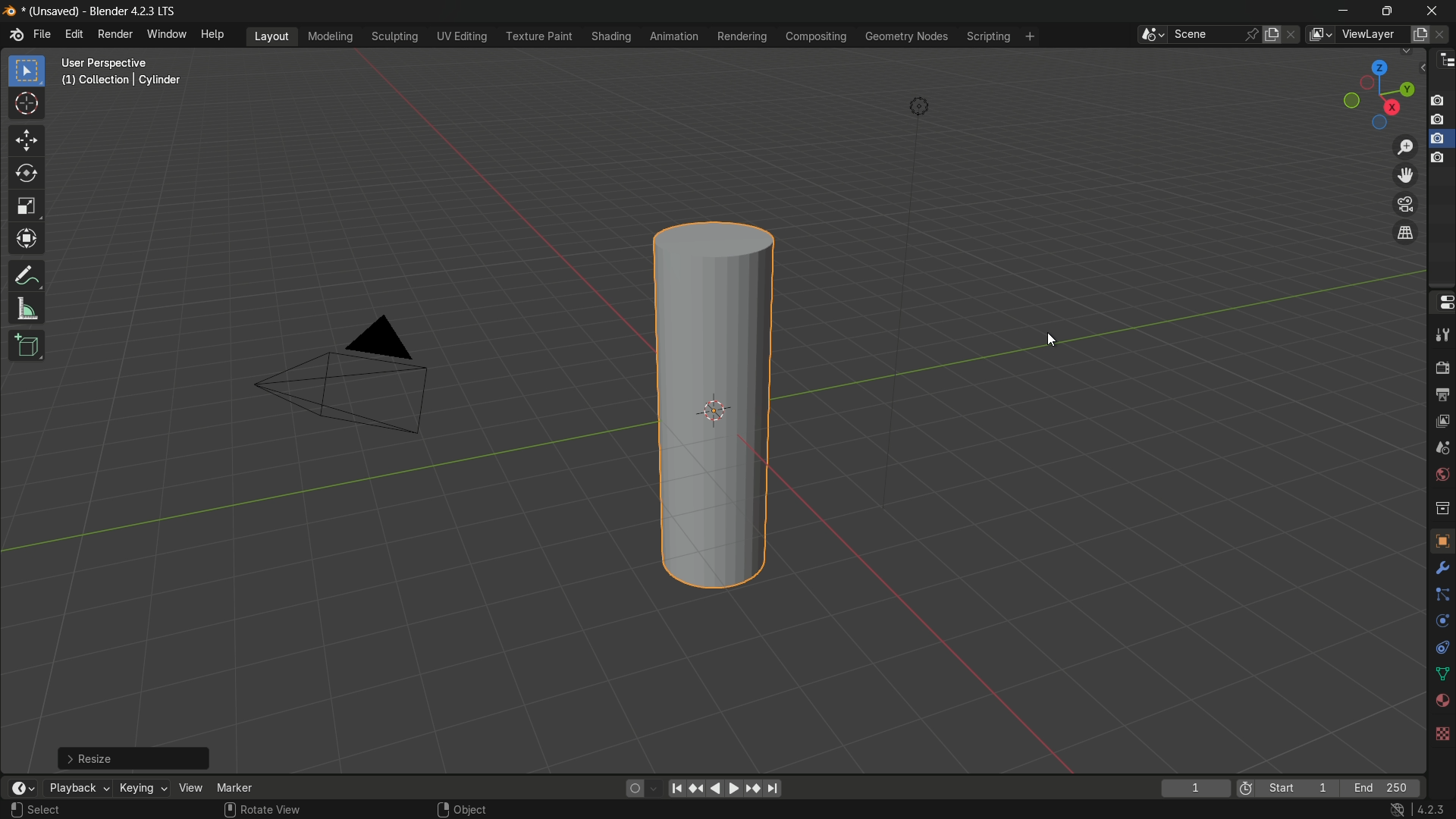 The height and width of the screenshot is (819, 1456). What do you see at coordinates (1404, 202) in the screenshot?
I see `toggle camera view` at bounding box center [1404, 202].